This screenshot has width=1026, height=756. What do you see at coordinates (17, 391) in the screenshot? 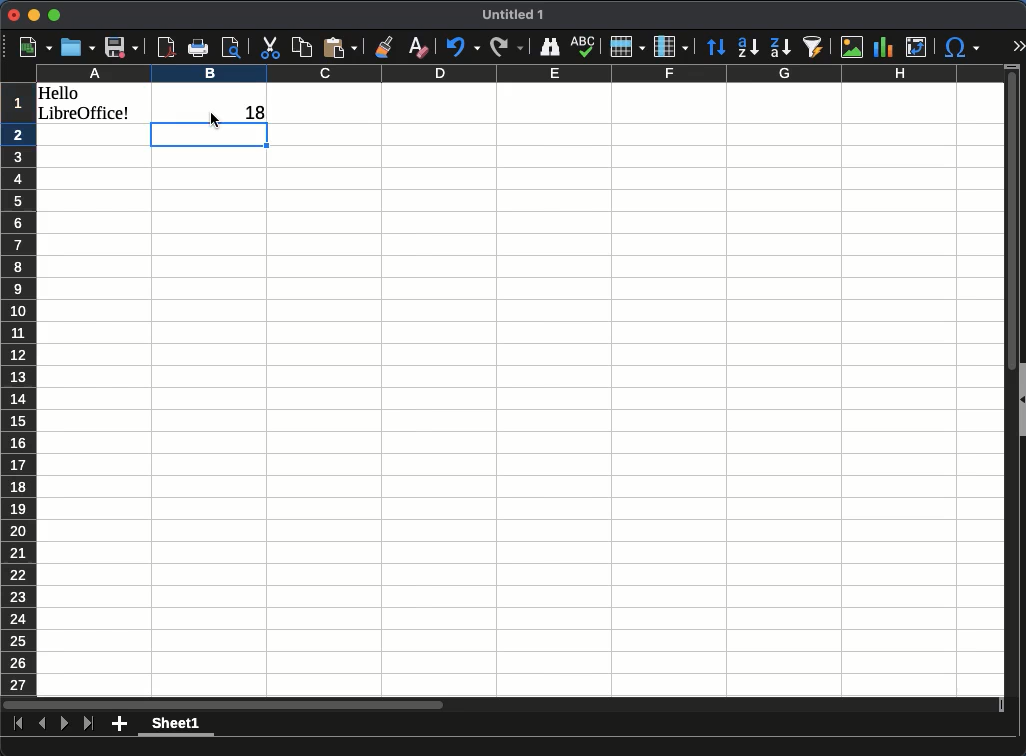
I see `rows` at bounding box center [17, 391].